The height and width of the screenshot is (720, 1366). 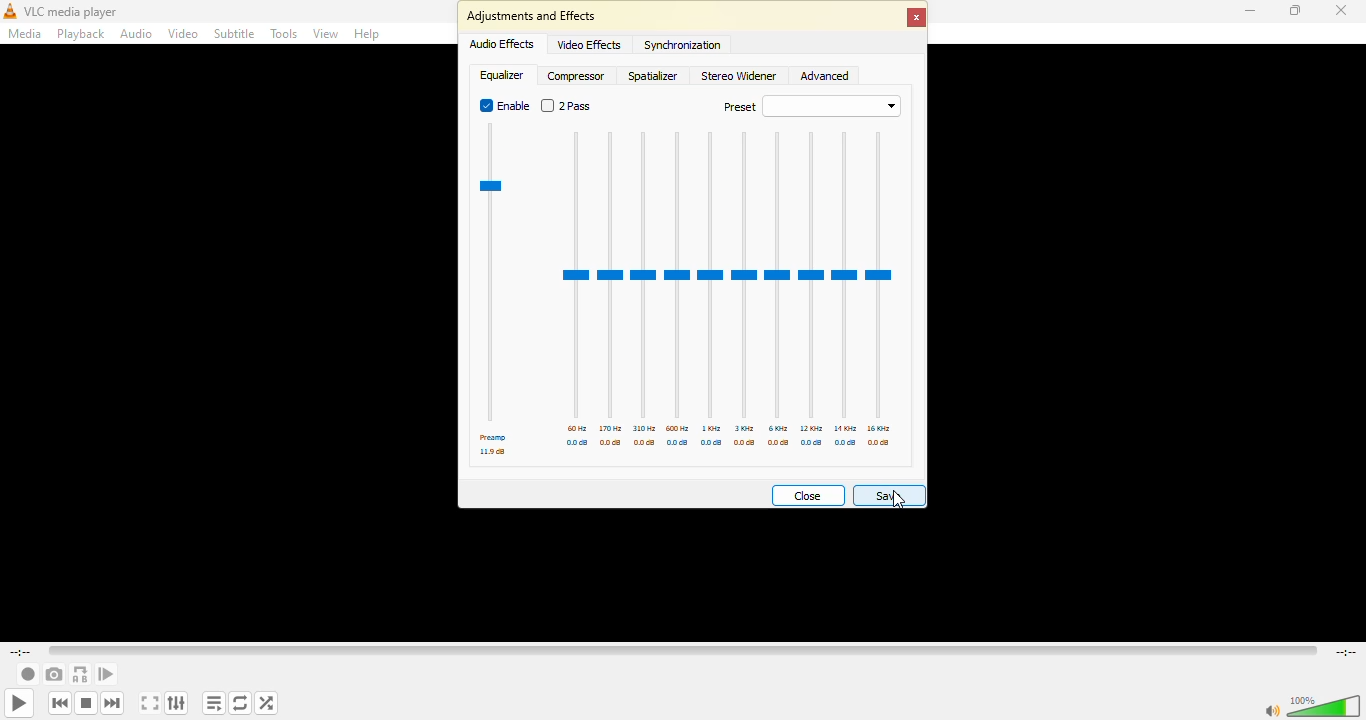 What do you see at coordinates (893, 497) in the screenshot?
I see `Cursor` at bounding box center [893, 497].